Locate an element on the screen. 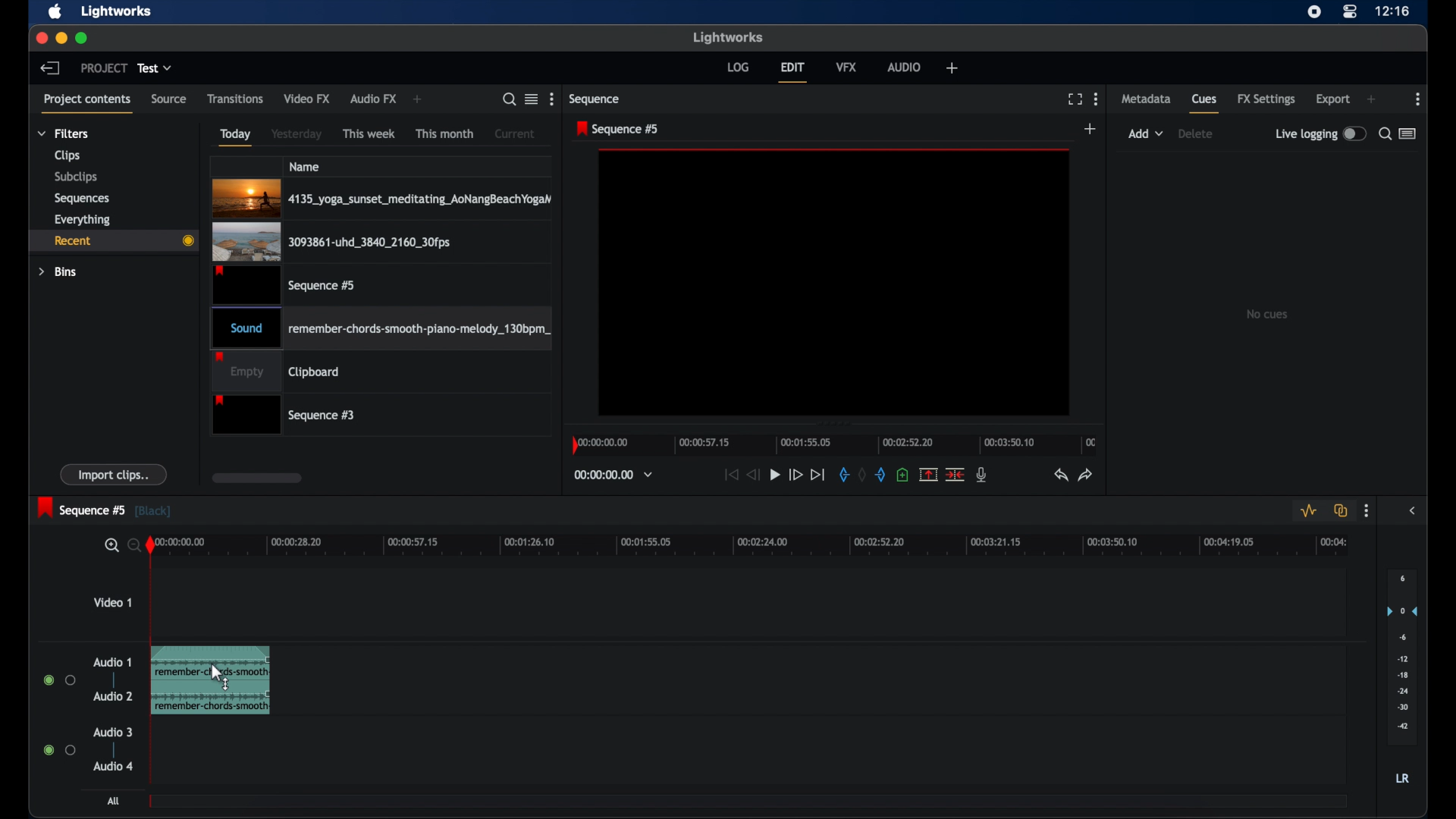  close is located at coordinates (41, 39).